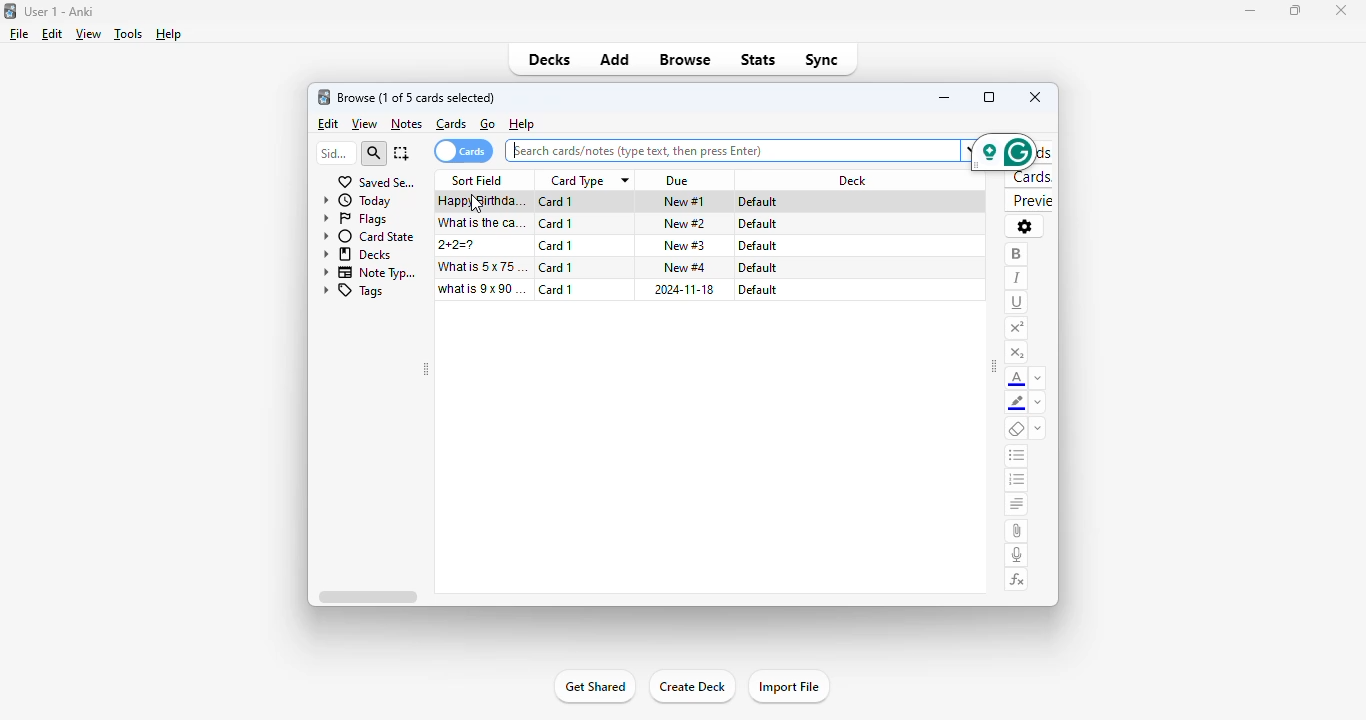 This screenshot has width=1366, height=720. I want to click on maximize, so click(1294, 11).